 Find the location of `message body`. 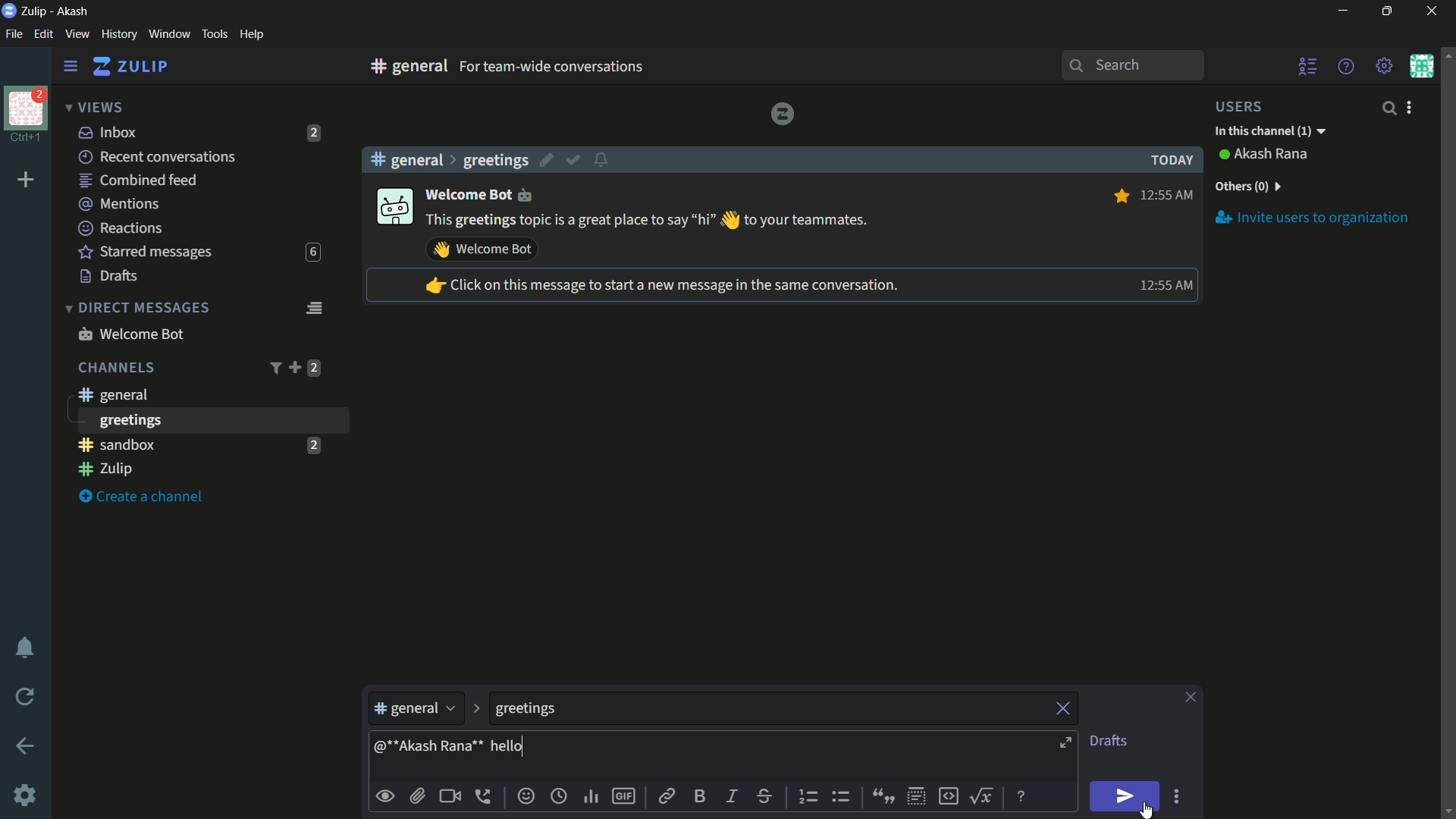

message body is located at coordinates (789, 758).